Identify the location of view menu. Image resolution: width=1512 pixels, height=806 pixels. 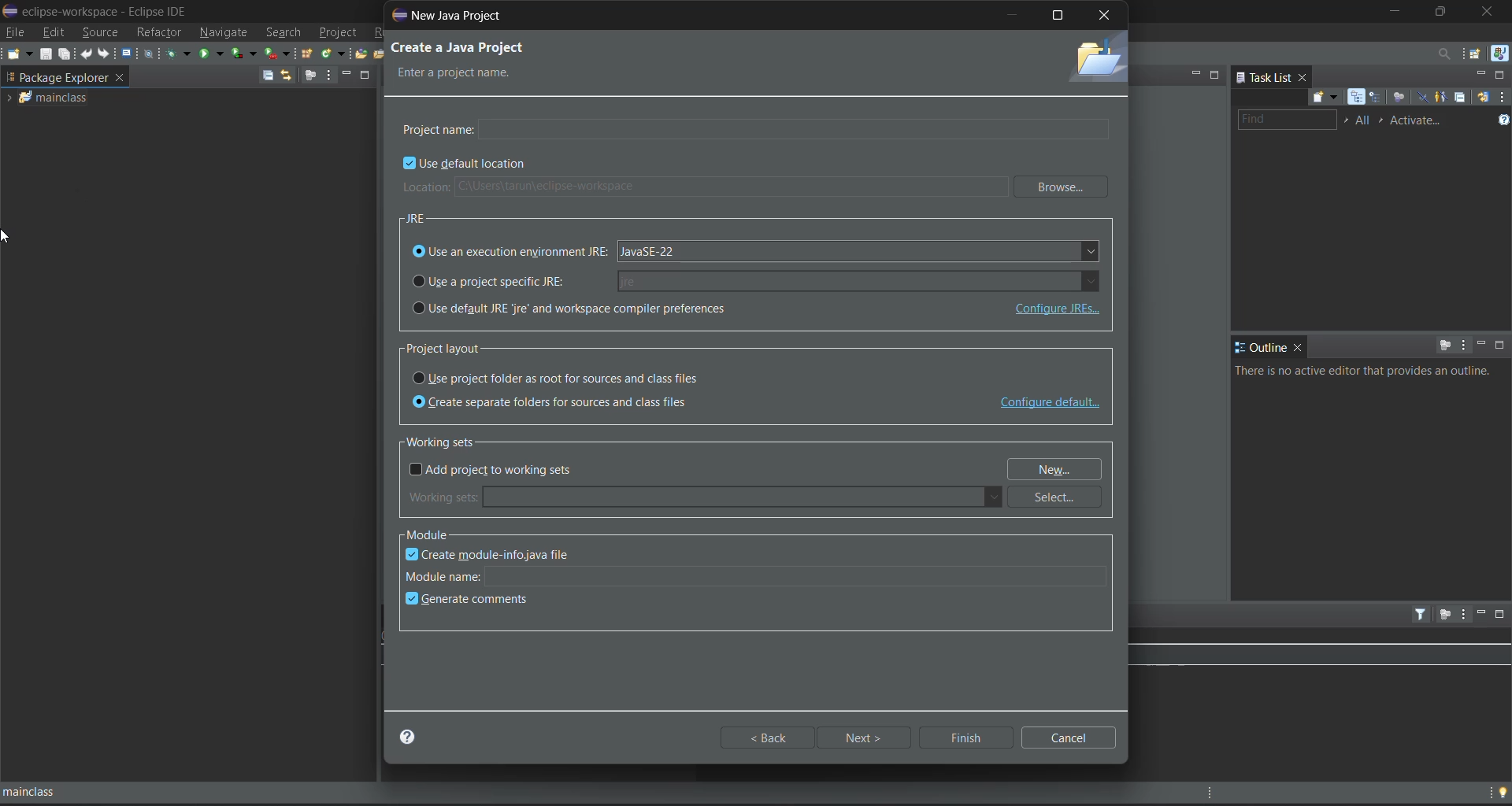
(328, 76).